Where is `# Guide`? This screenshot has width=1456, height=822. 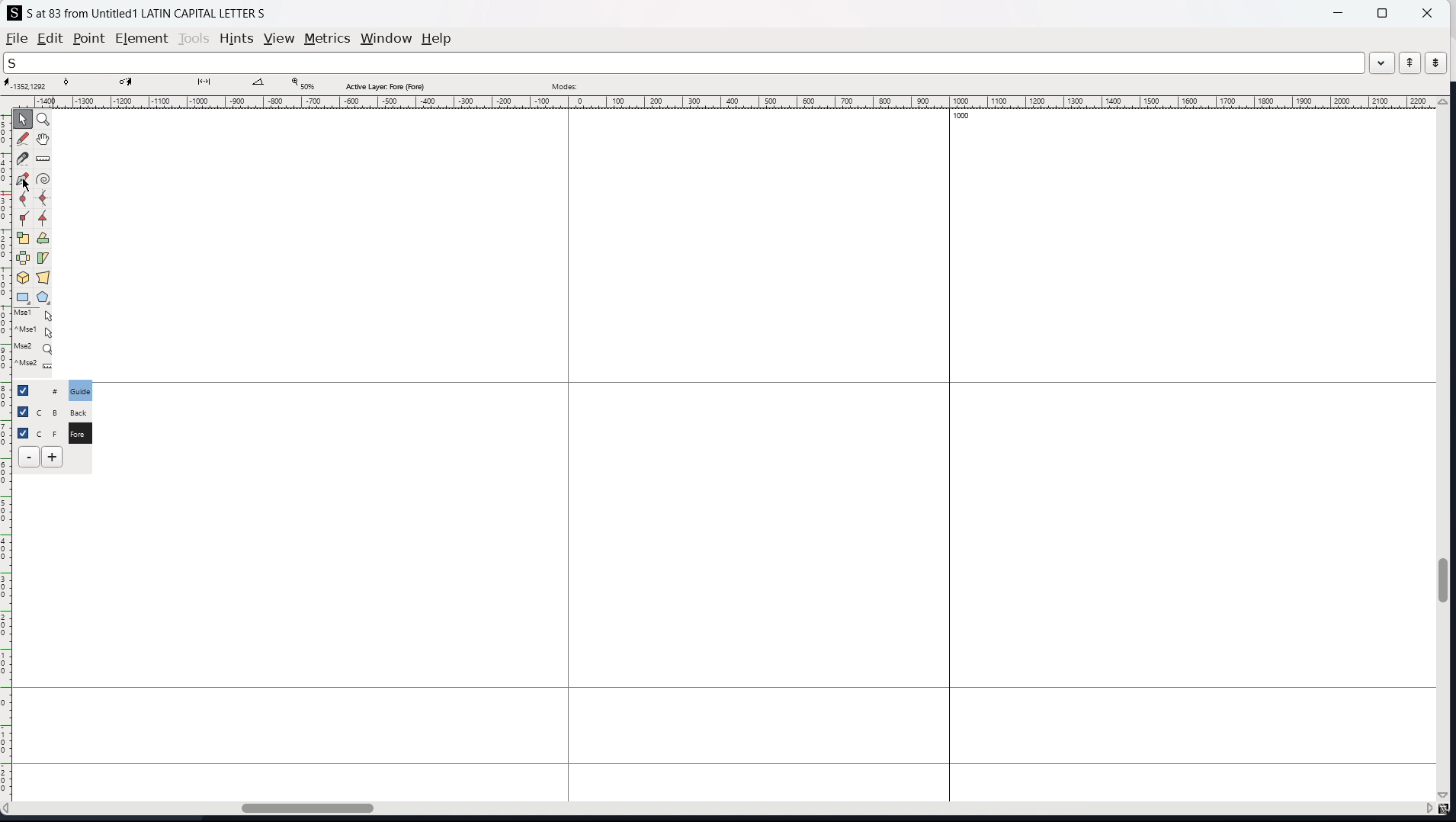 # Guide is located at coordinates (82, 390).